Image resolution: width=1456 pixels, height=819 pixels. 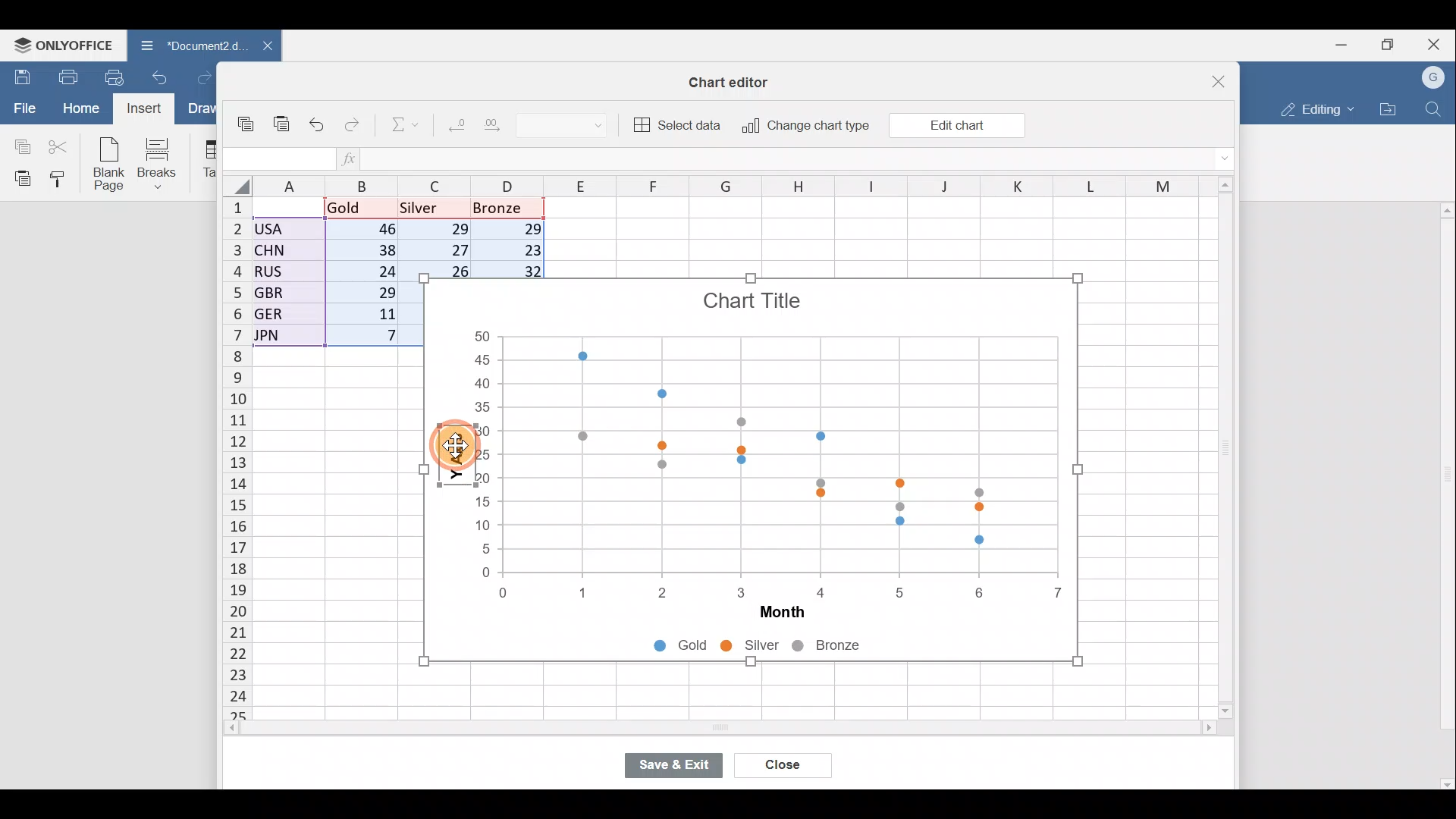 I want to click on Chart image, so click(x=755, y=434).